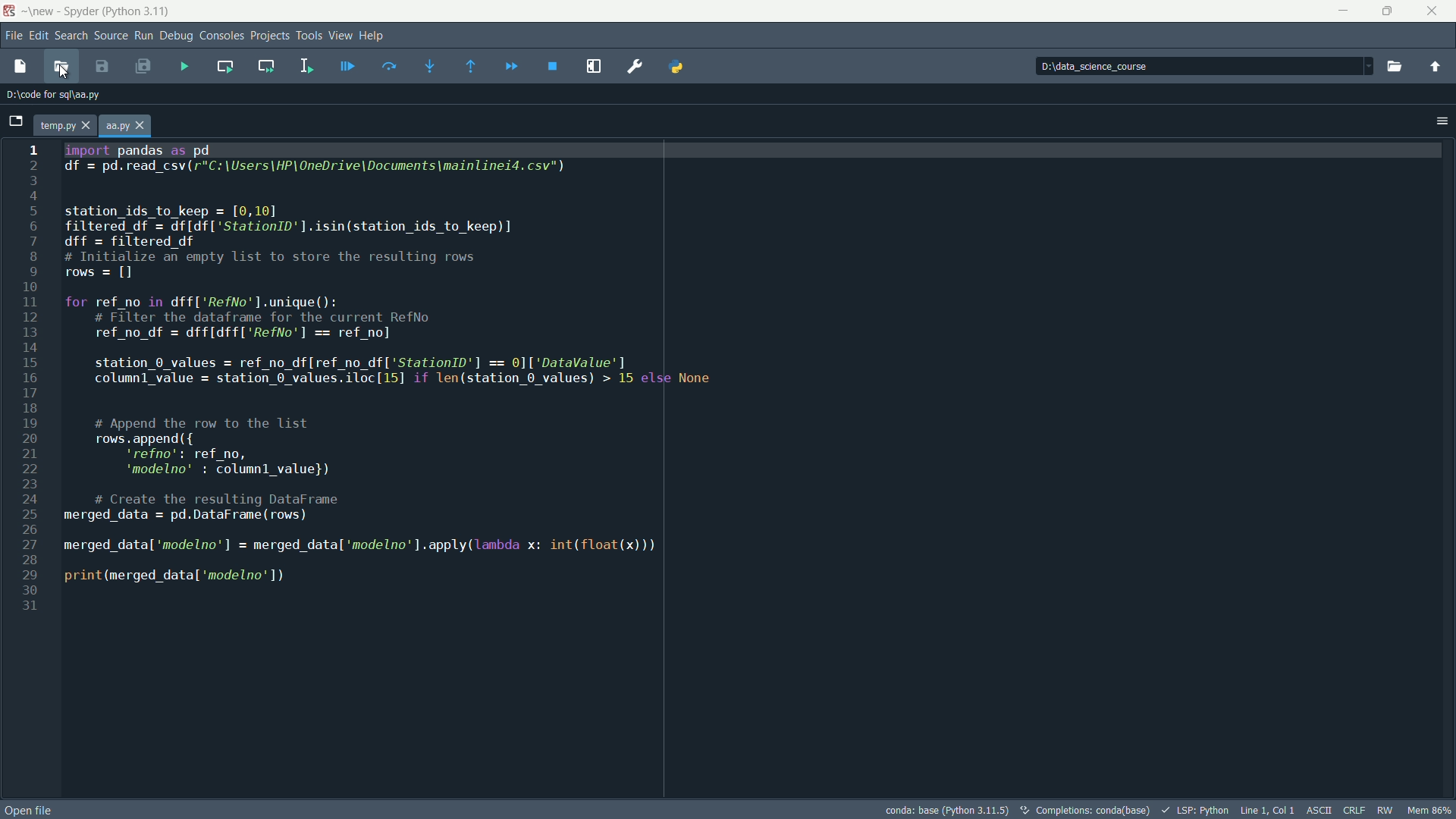 This screenshot has width=1456, height=819. I want to click on File menu, so click(14, 35).